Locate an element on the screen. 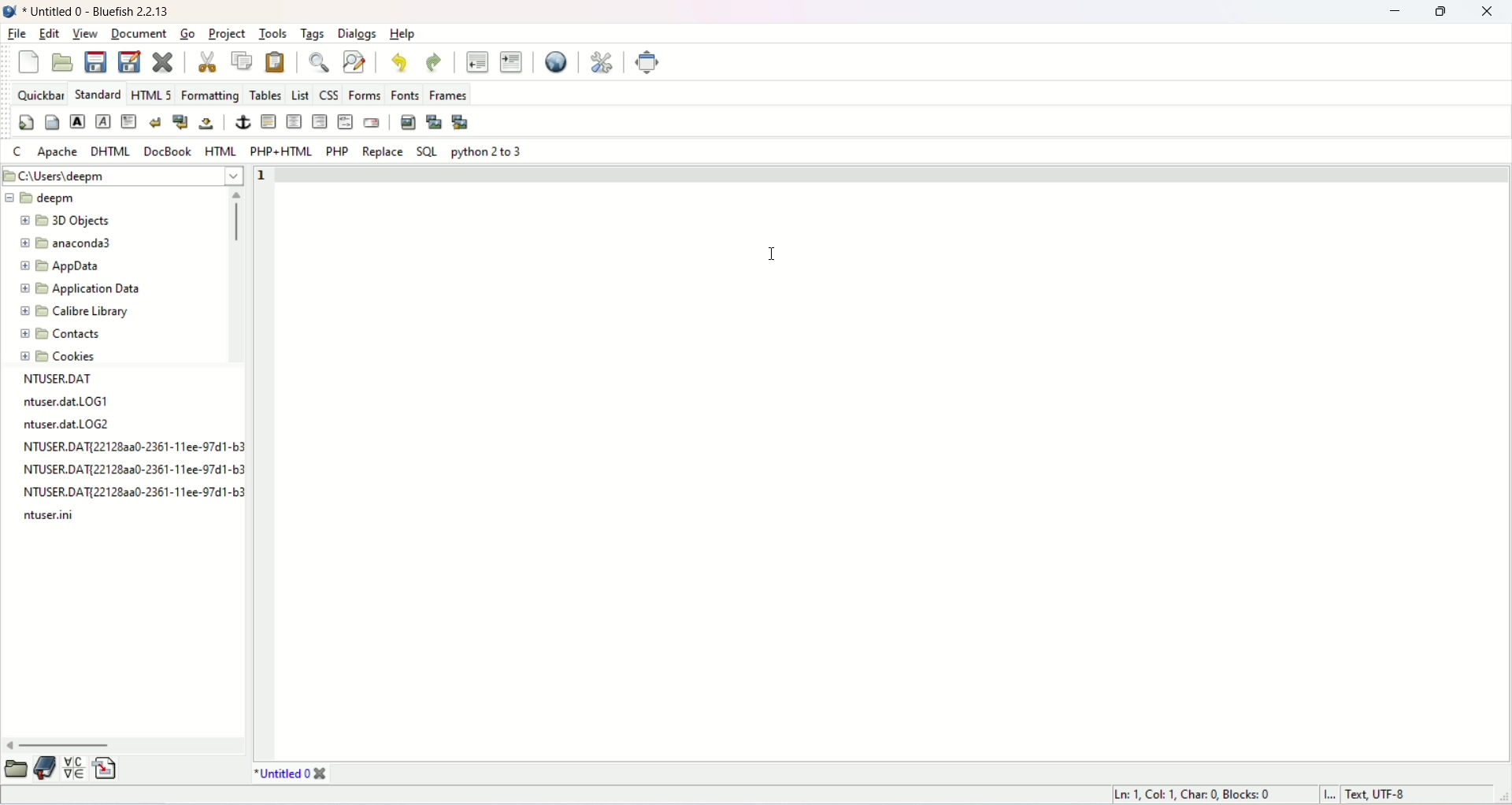 The width and height of the screenshot is (1512, 805). SQL is located at coordinates (427, 156).